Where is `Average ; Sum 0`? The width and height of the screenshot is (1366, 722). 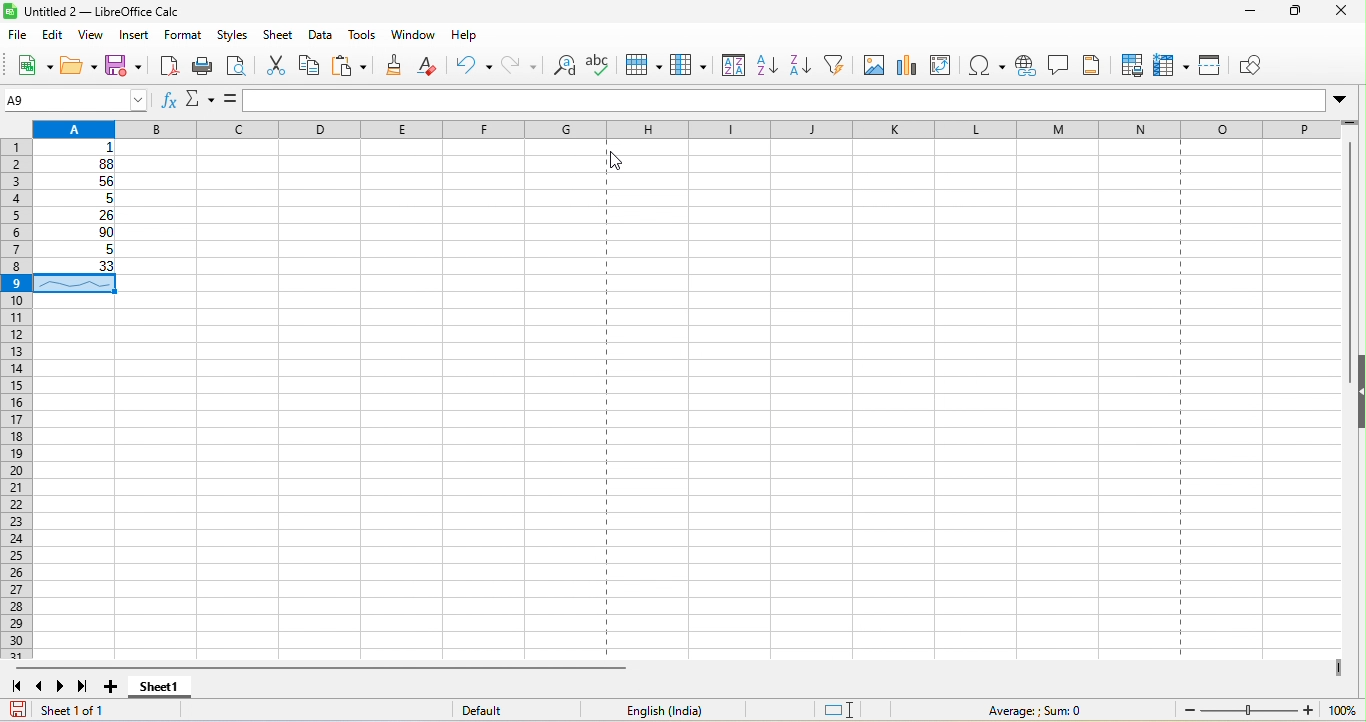 Average ; Sum 0 is located at coordinates (1039, 707).